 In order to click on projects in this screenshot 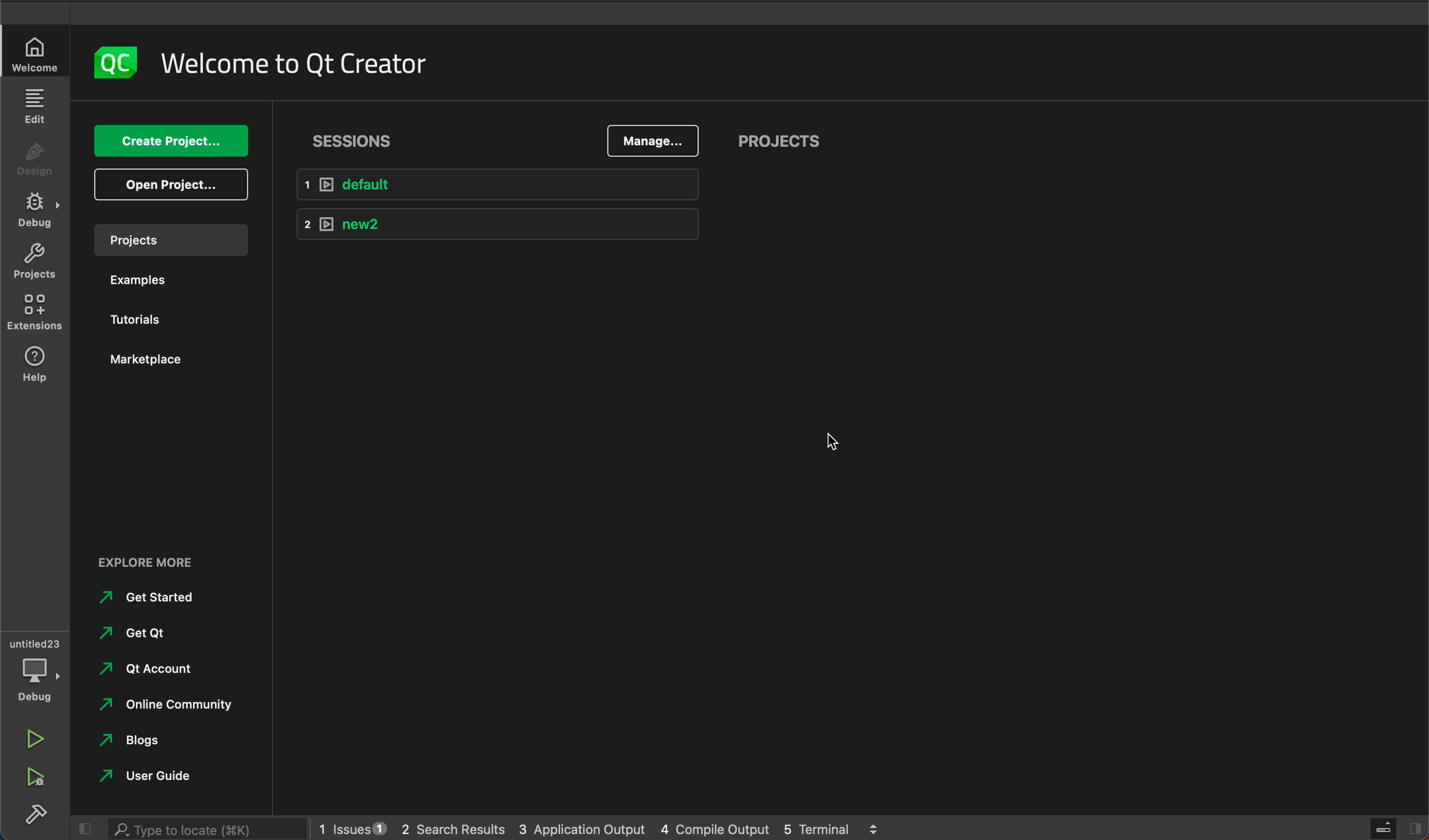, I will do `click(167, 239)`.